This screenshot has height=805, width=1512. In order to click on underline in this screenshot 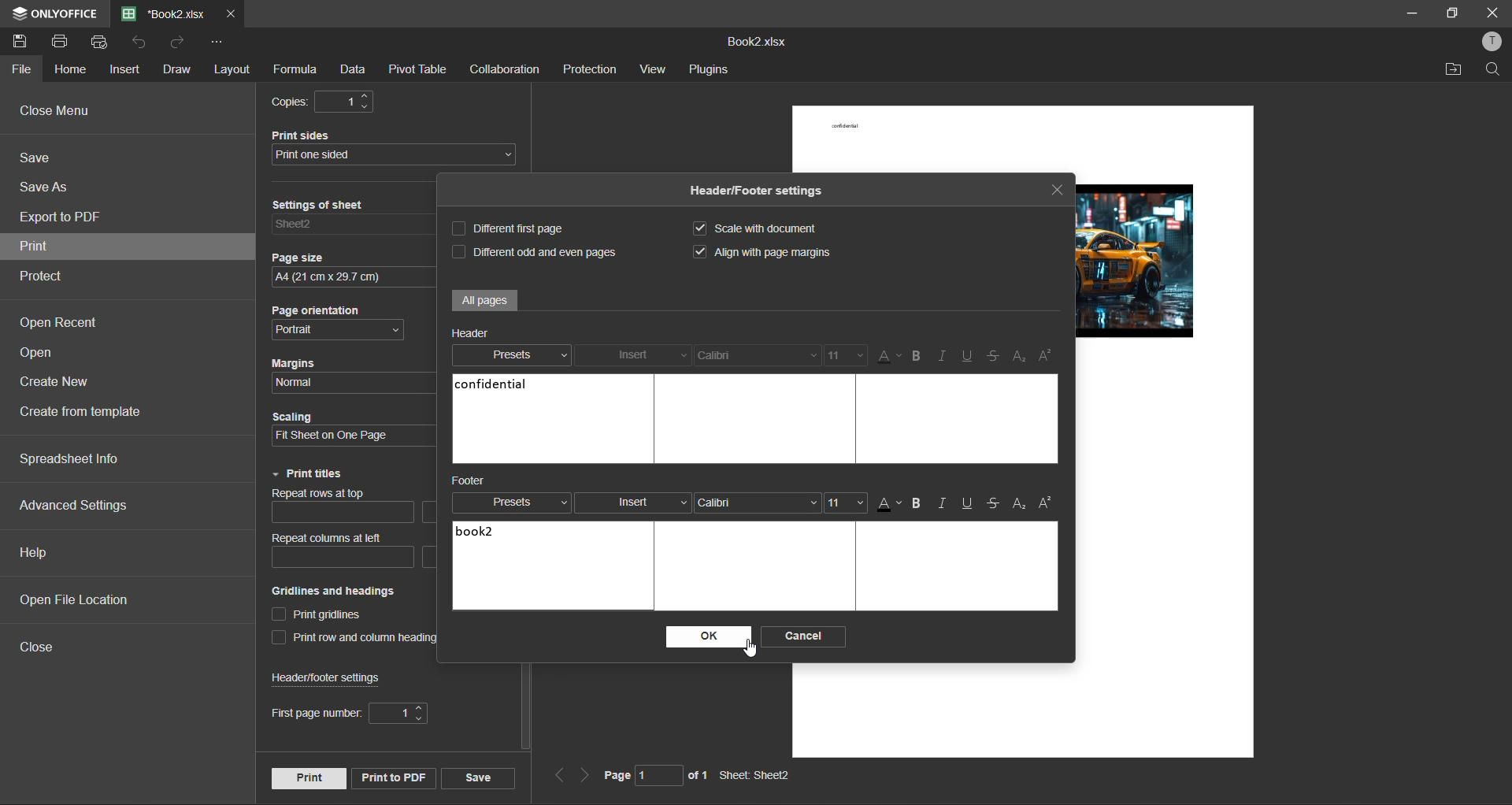, I will do `click(968, 502)`.